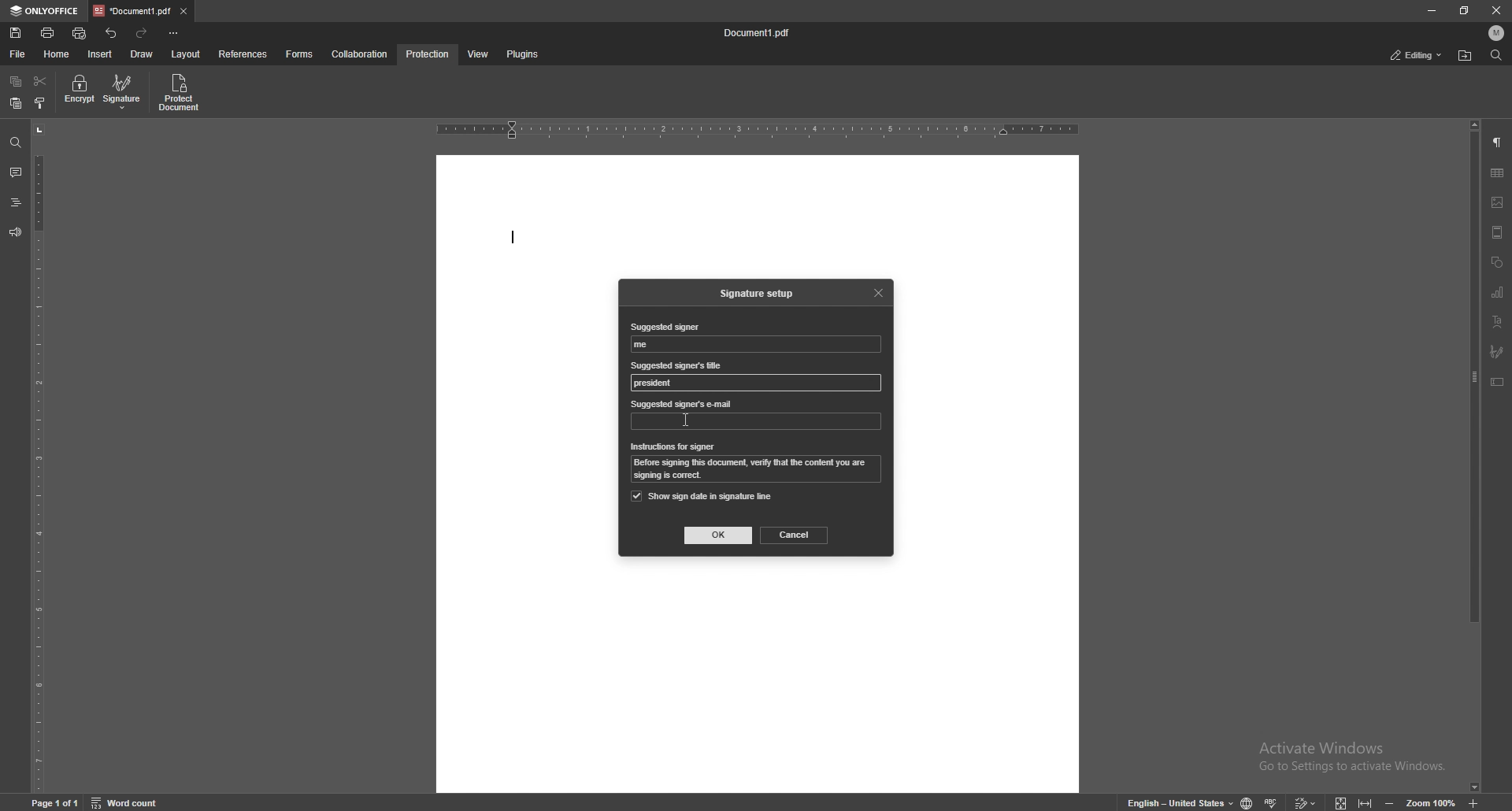 This screenshot has width=1512, height=811. What do you see at coordinates (49, 32) in the screenshot?
I see `print` at bounding box center [49, 32].